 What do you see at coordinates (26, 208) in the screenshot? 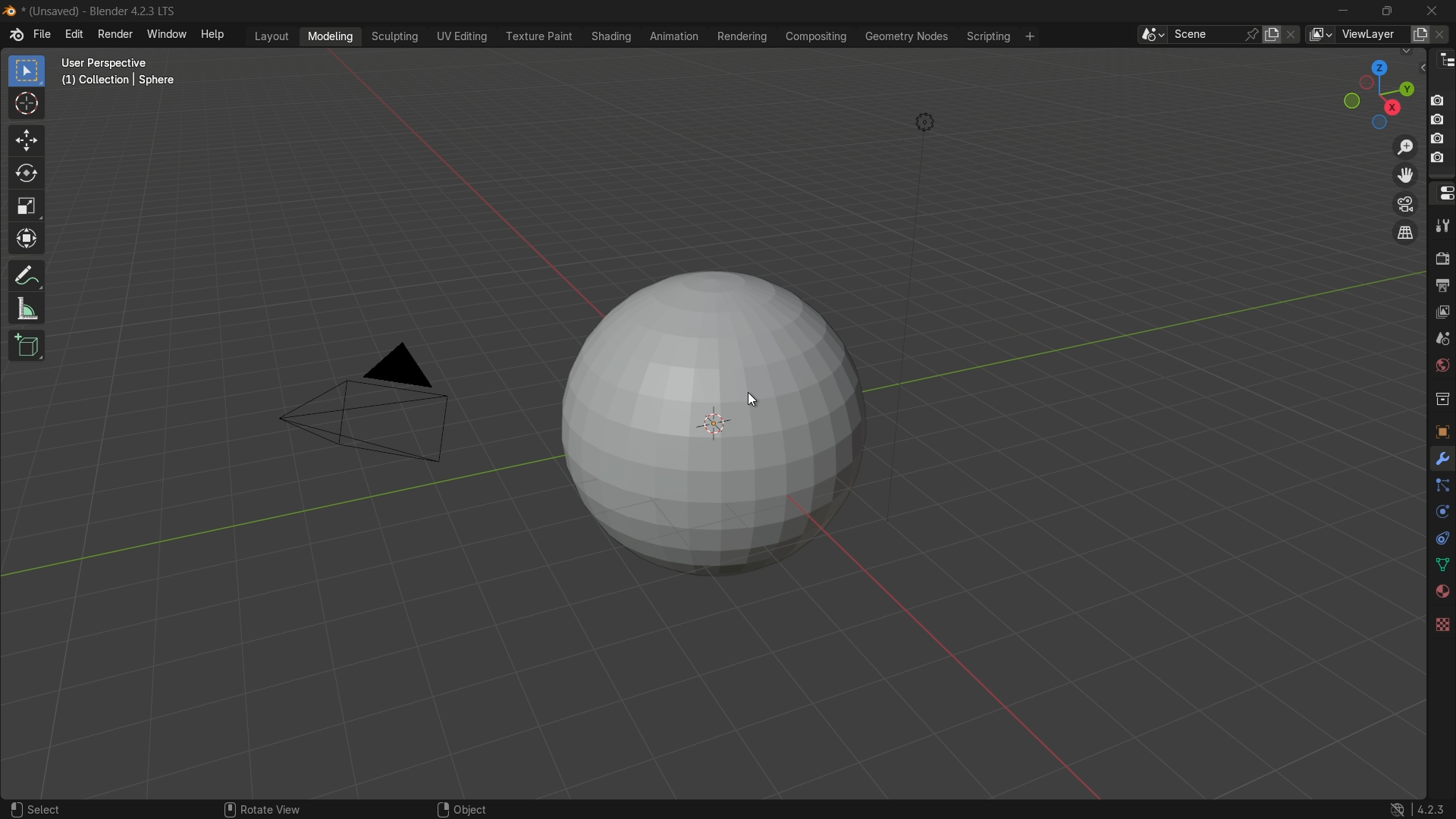
I see `scale` at bounding box center [26, 208].